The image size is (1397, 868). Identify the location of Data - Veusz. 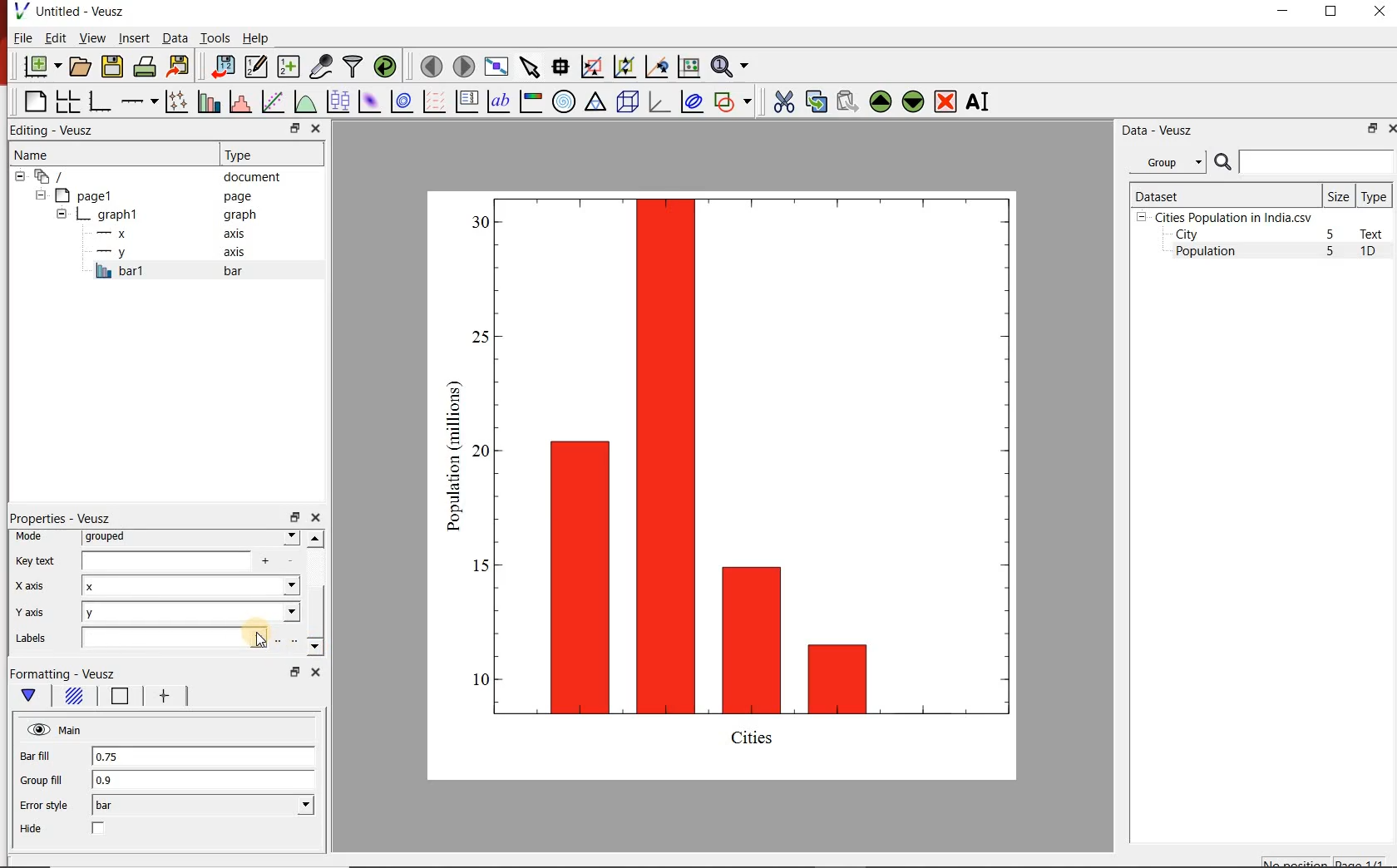
(1154, 130).